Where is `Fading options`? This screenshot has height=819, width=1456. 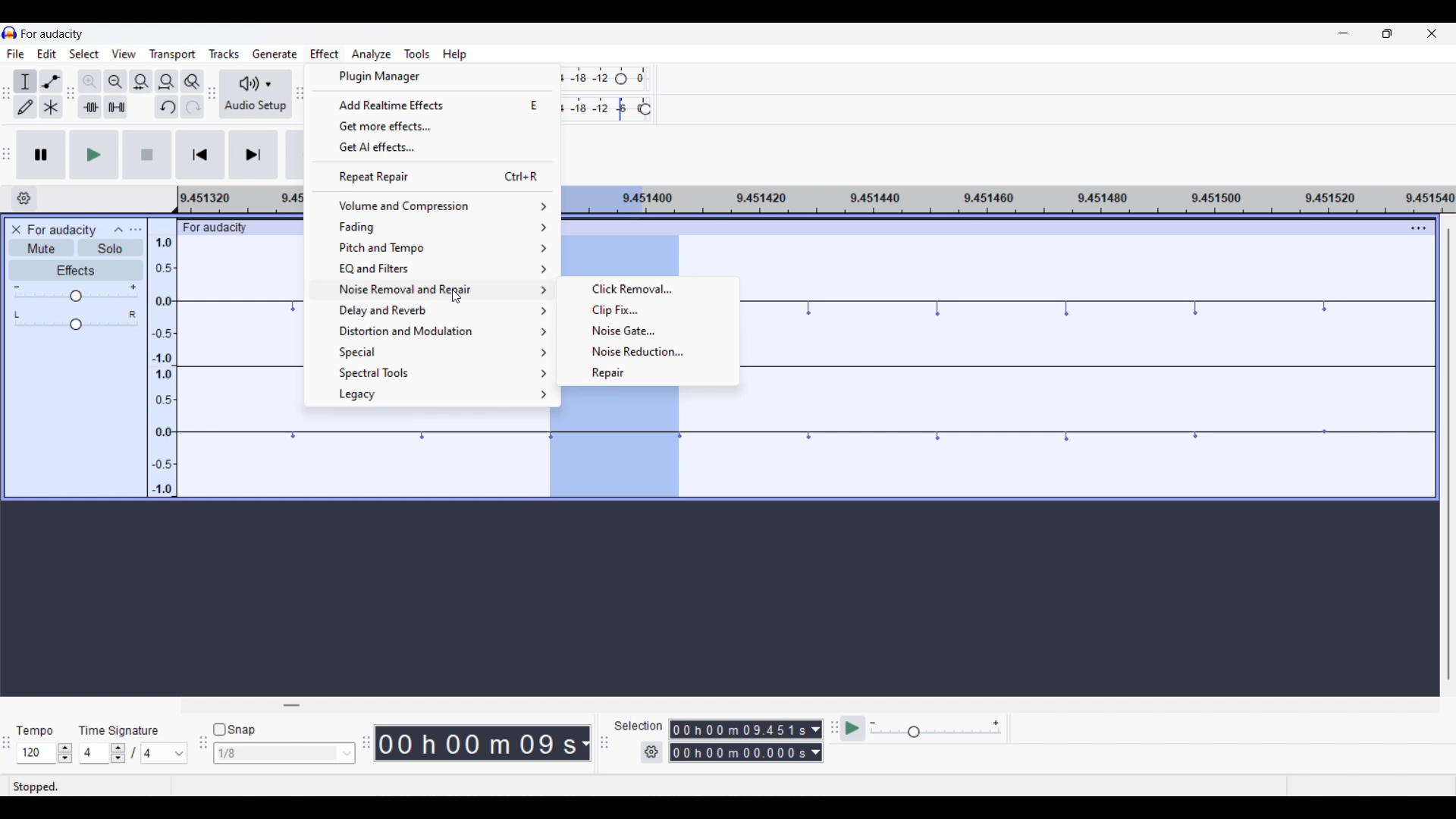
Fading options is located at coordinates (435, 227).